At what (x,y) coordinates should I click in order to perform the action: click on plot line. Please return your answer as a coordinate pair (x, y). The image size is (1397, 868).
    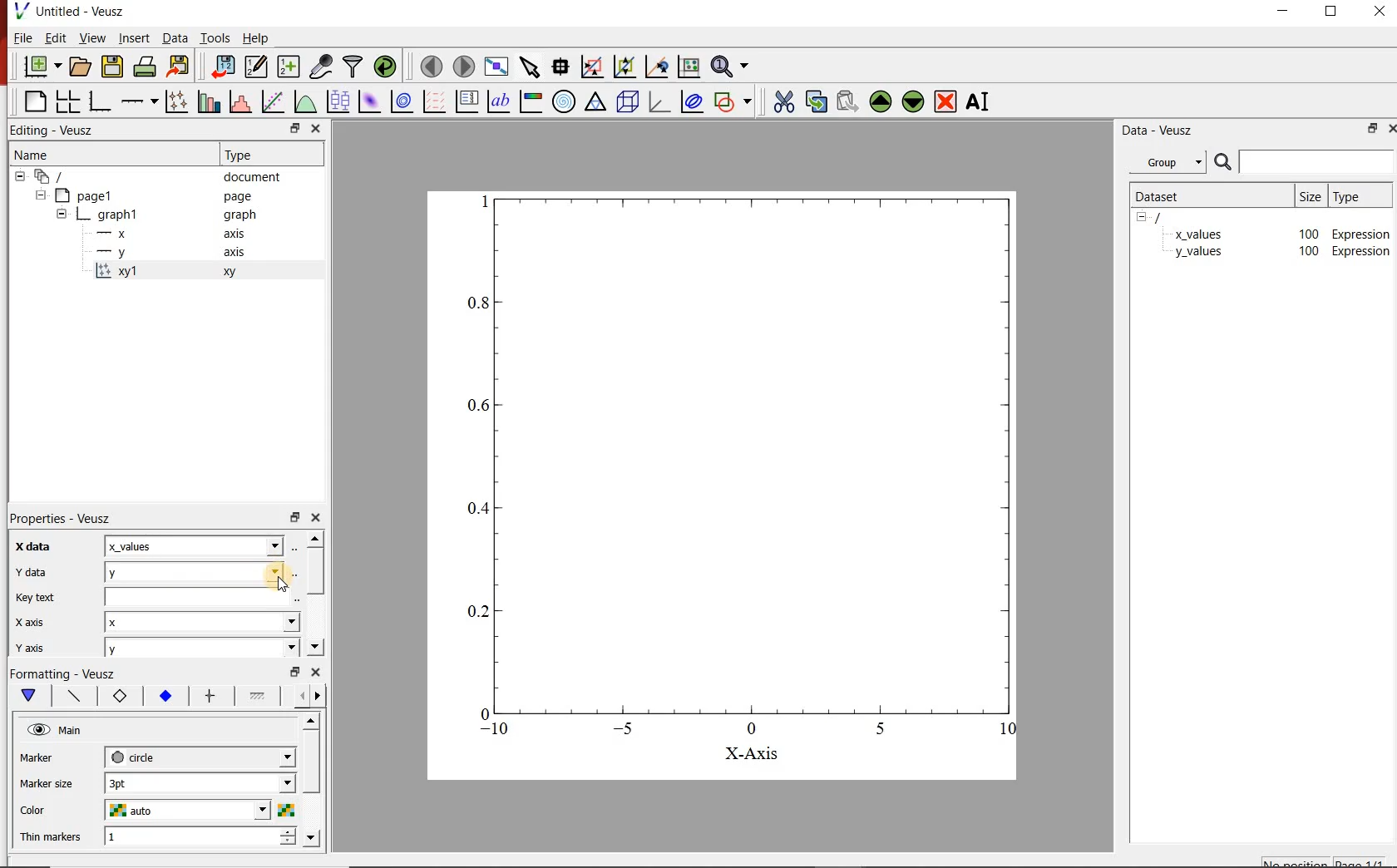
    Looking at the image, I should click on (77, 696).